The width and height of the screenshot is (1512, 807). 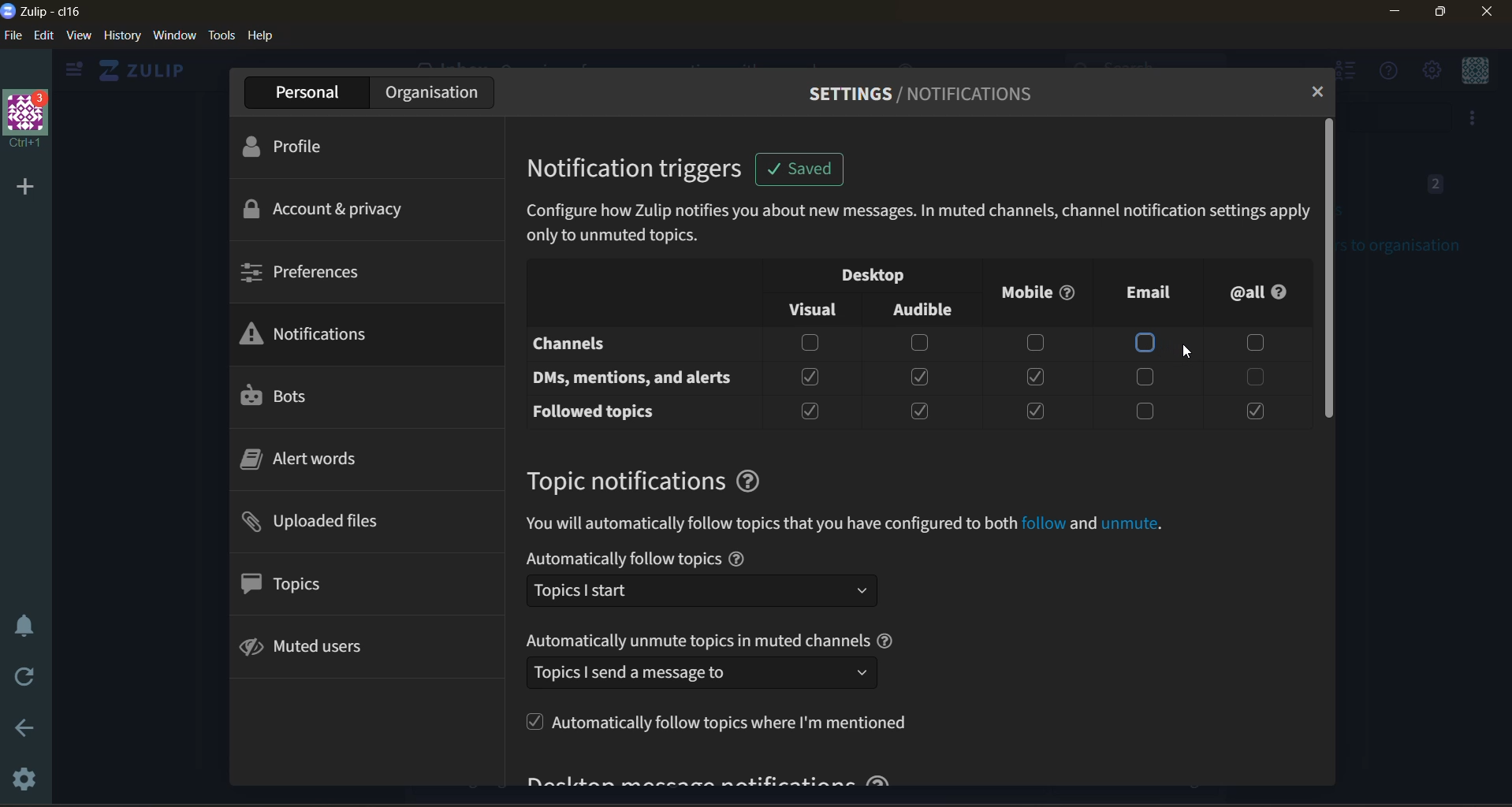 What do you see at coordinates (1430, 70) in the screenshot?
I see `settings menu` at bounding box center [1430, 70].